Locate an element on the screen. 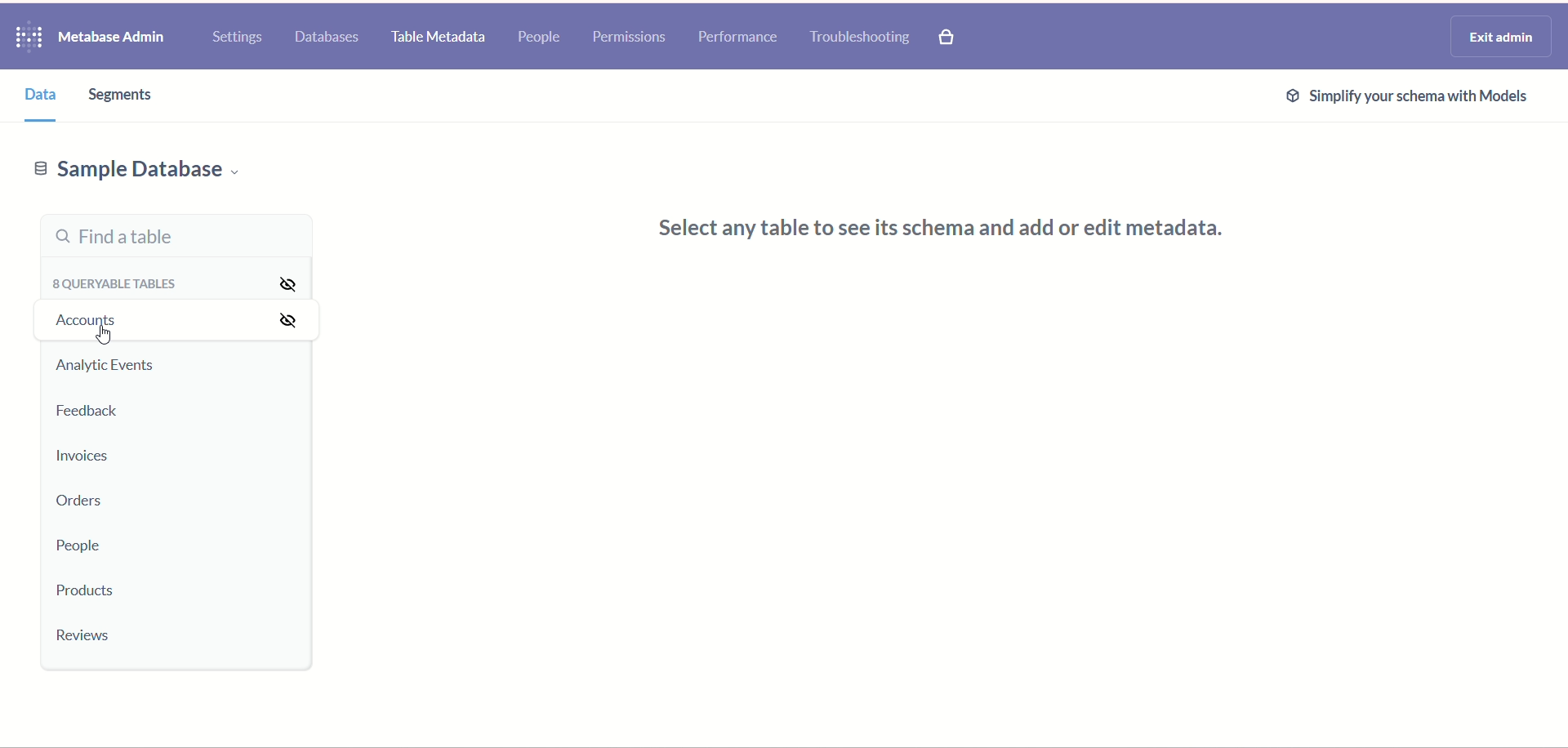 The image size is (1568, 748). paid features is located at coordinates (949, 39).